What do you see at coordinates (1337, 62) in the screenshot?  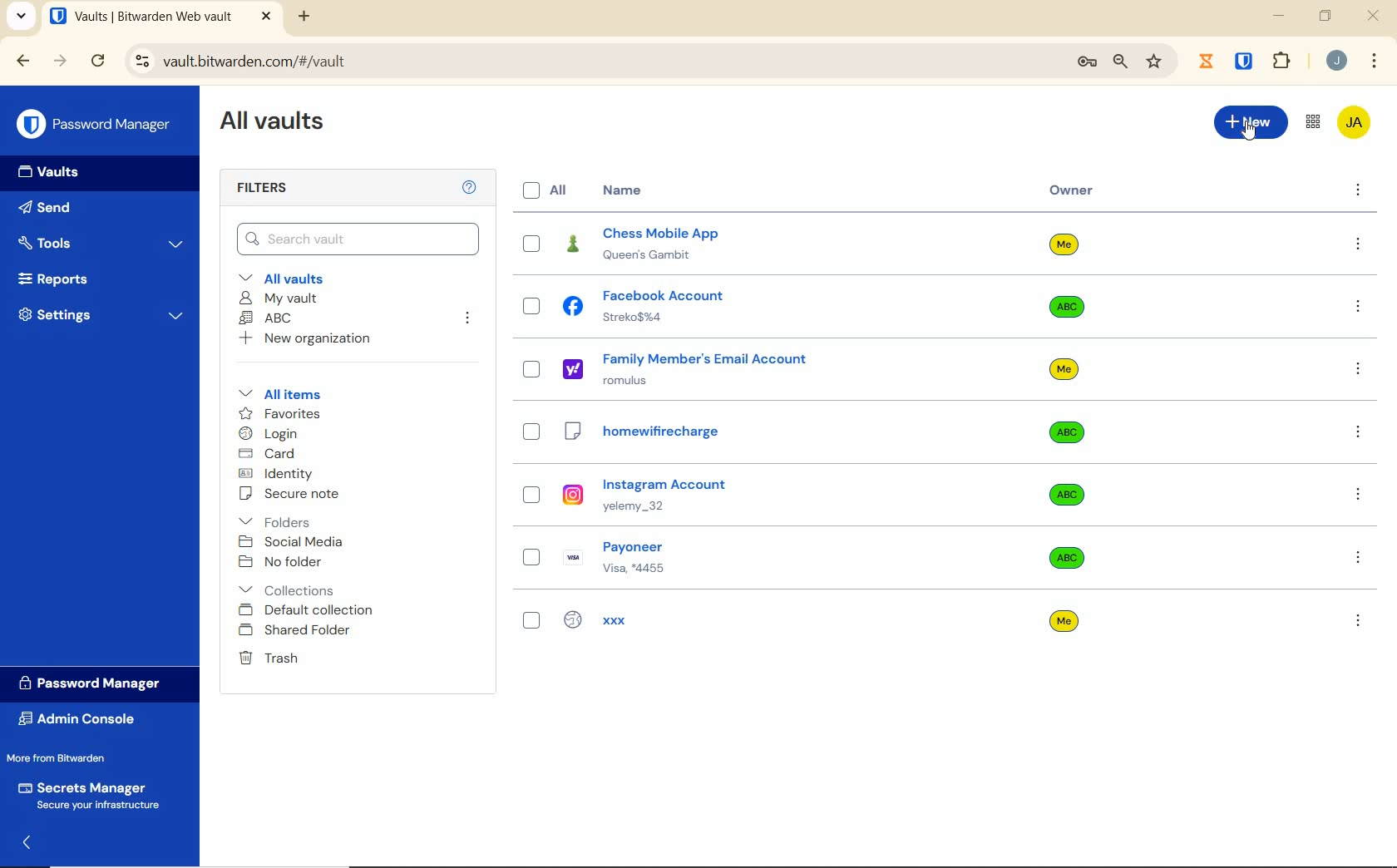 I see `Account` at bounding box center [1337, 62].